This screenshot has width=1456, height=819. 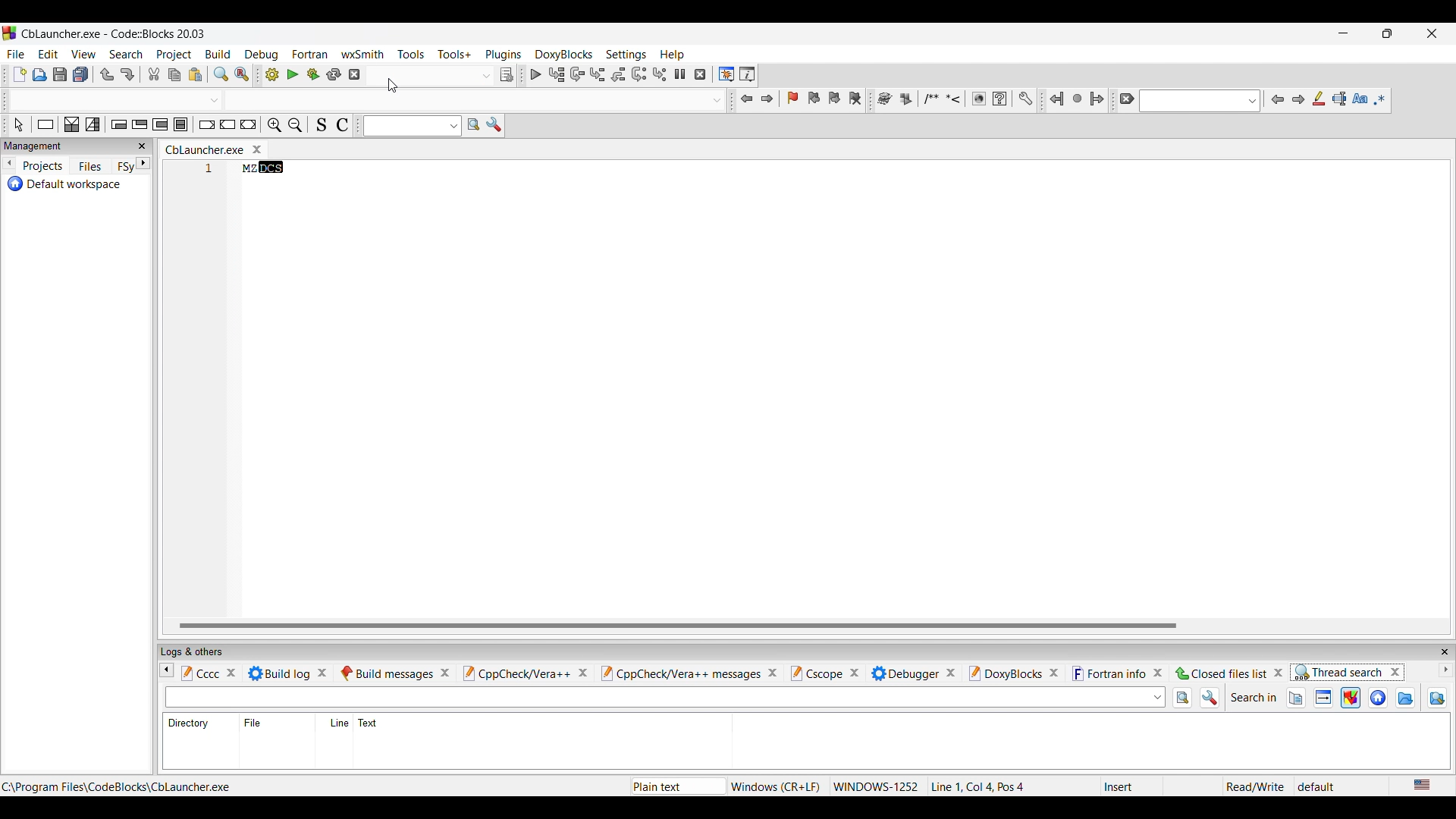 What do you see at coordinates (855, 98) in the screenshot?
I see `Clear bookmarks` at bounding box center [855, 98].